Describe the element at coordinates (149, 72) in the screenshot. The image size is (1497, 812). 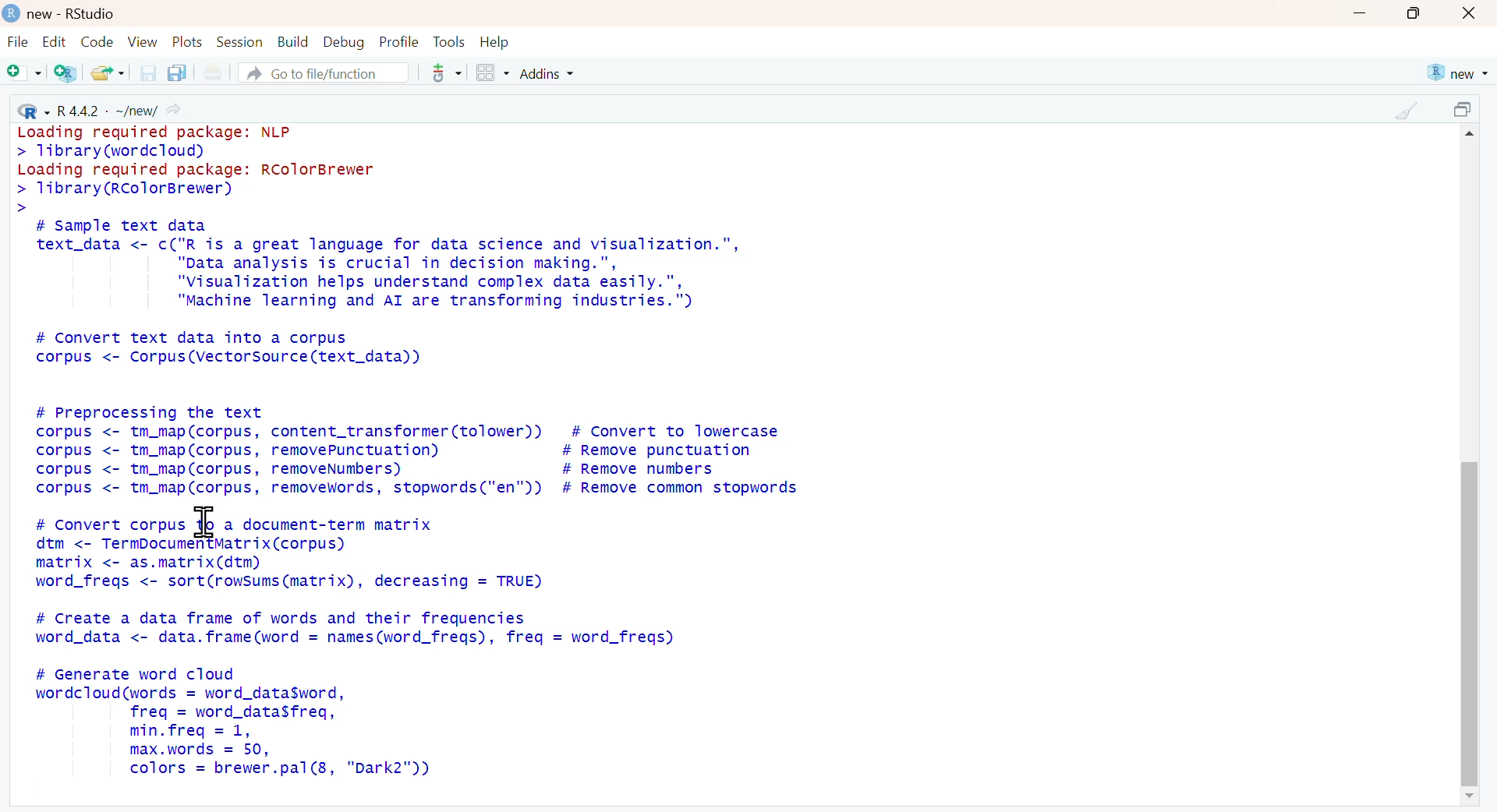
I see `Save the current document` at that location.